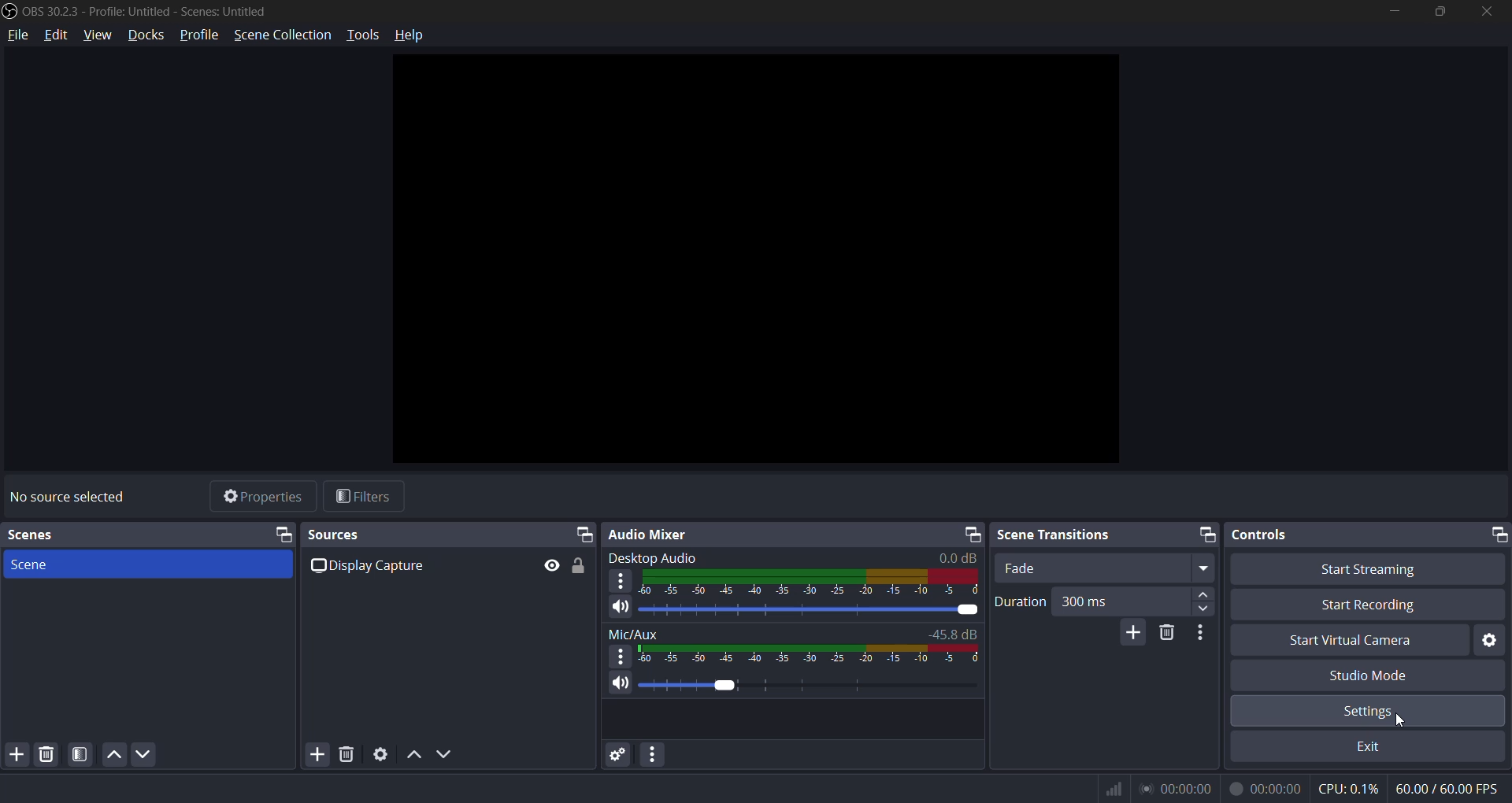 This screenshot has height=803, width=1512. What do you see at coordinates (113, 756) in the screenshot?
I see `move up` at bounding box center [113, 756].